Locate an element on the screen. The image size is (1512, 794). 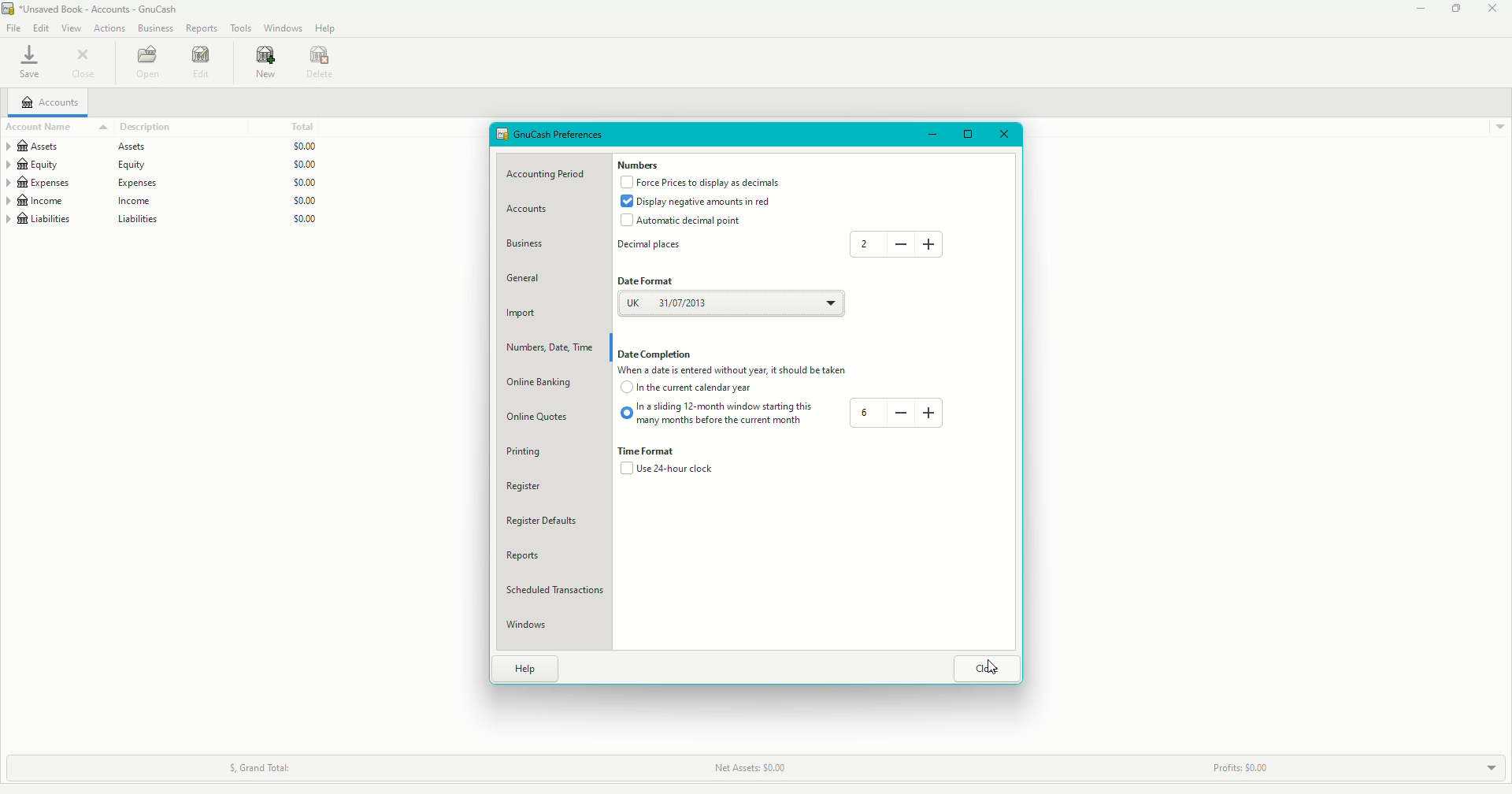
Edit is located at coordinates (202, 63).